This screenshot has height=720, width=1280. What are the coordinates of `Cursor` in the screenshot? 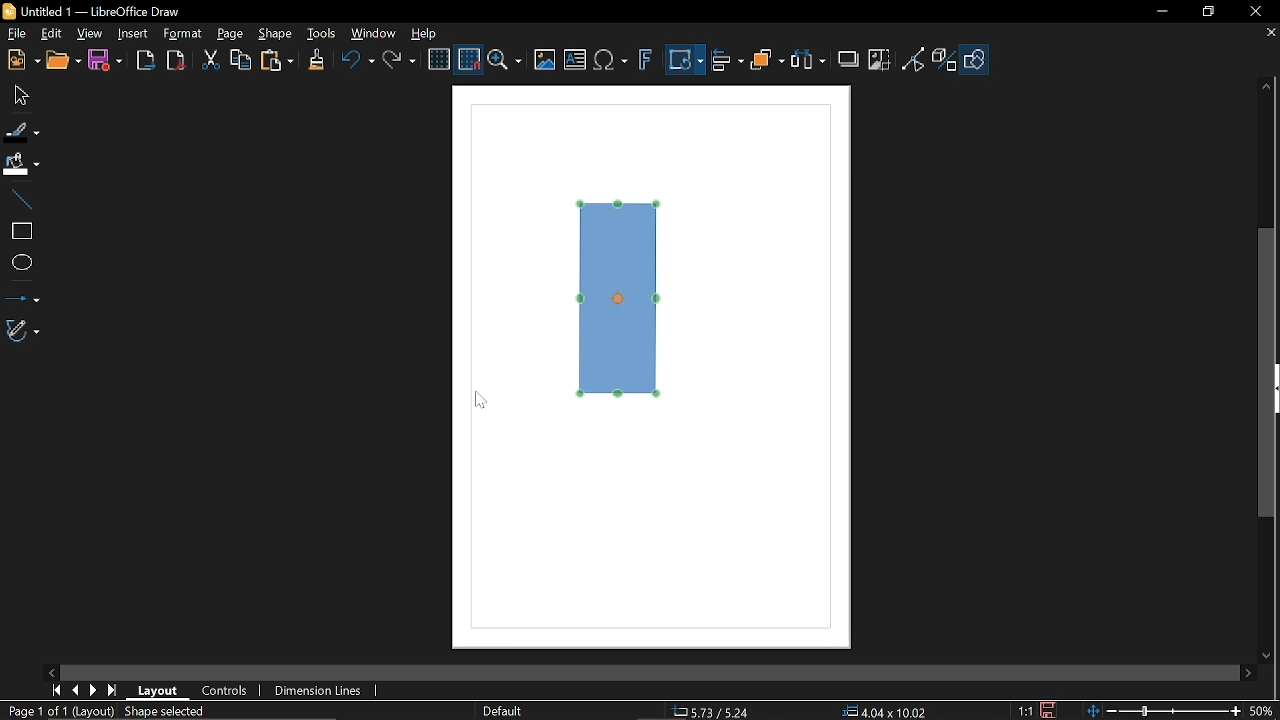 It's located at (479, 398).